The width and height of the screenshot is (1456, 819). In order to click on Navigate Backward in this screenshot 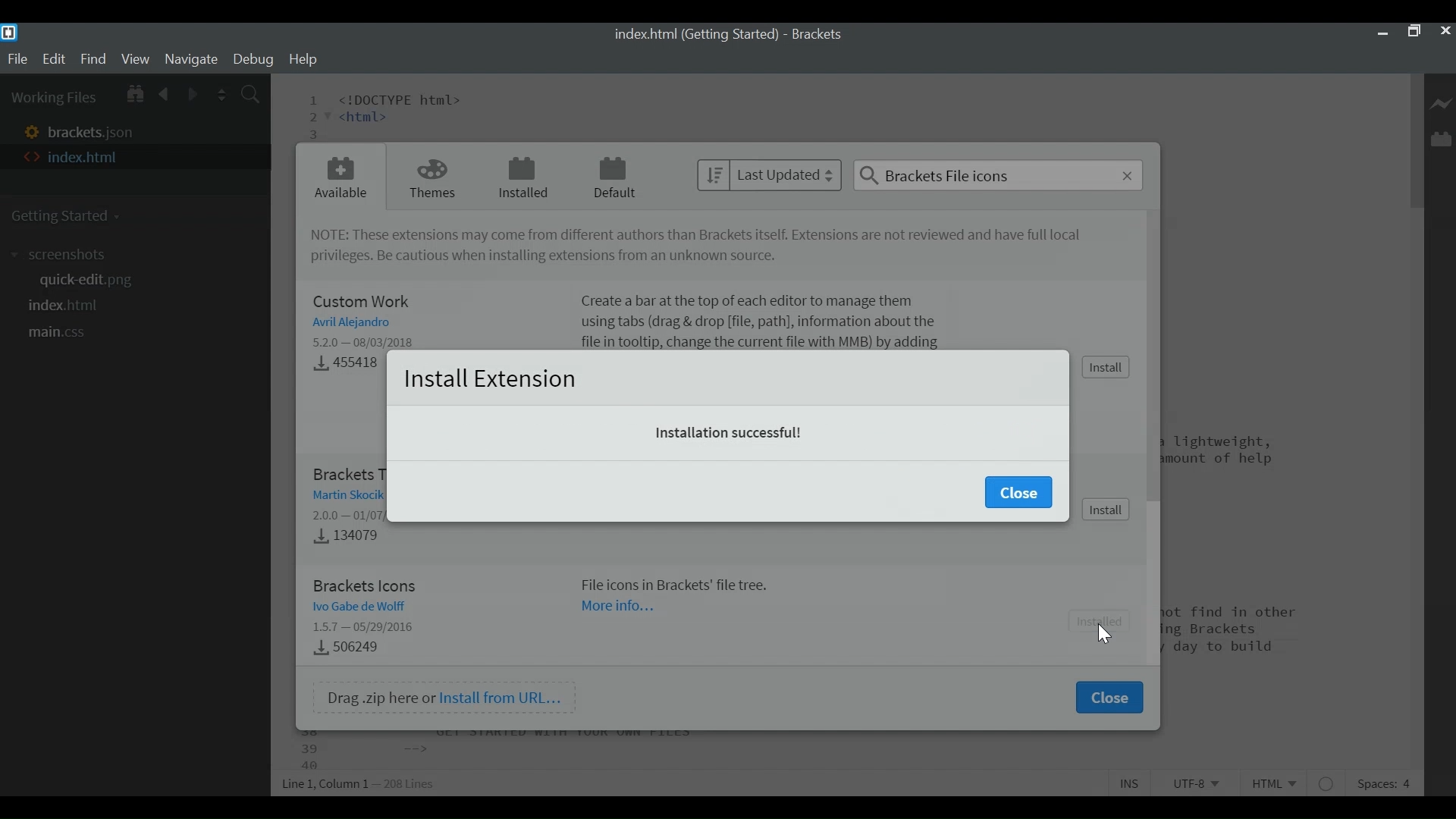, I will do `click(165, 94)`.